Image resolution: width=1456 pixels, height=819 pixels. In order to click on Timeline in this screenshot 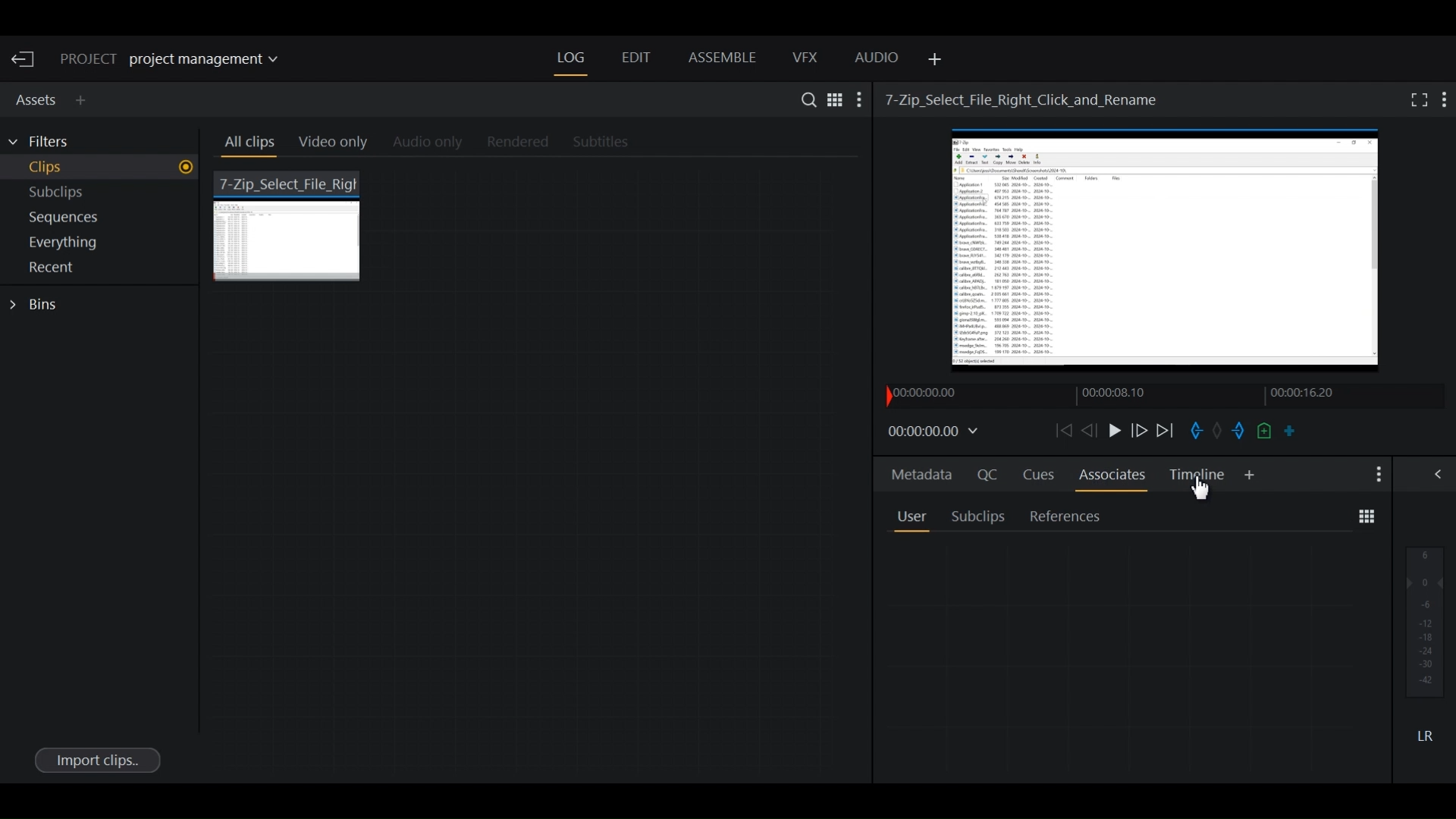, I will do `click(1131, 395)`.